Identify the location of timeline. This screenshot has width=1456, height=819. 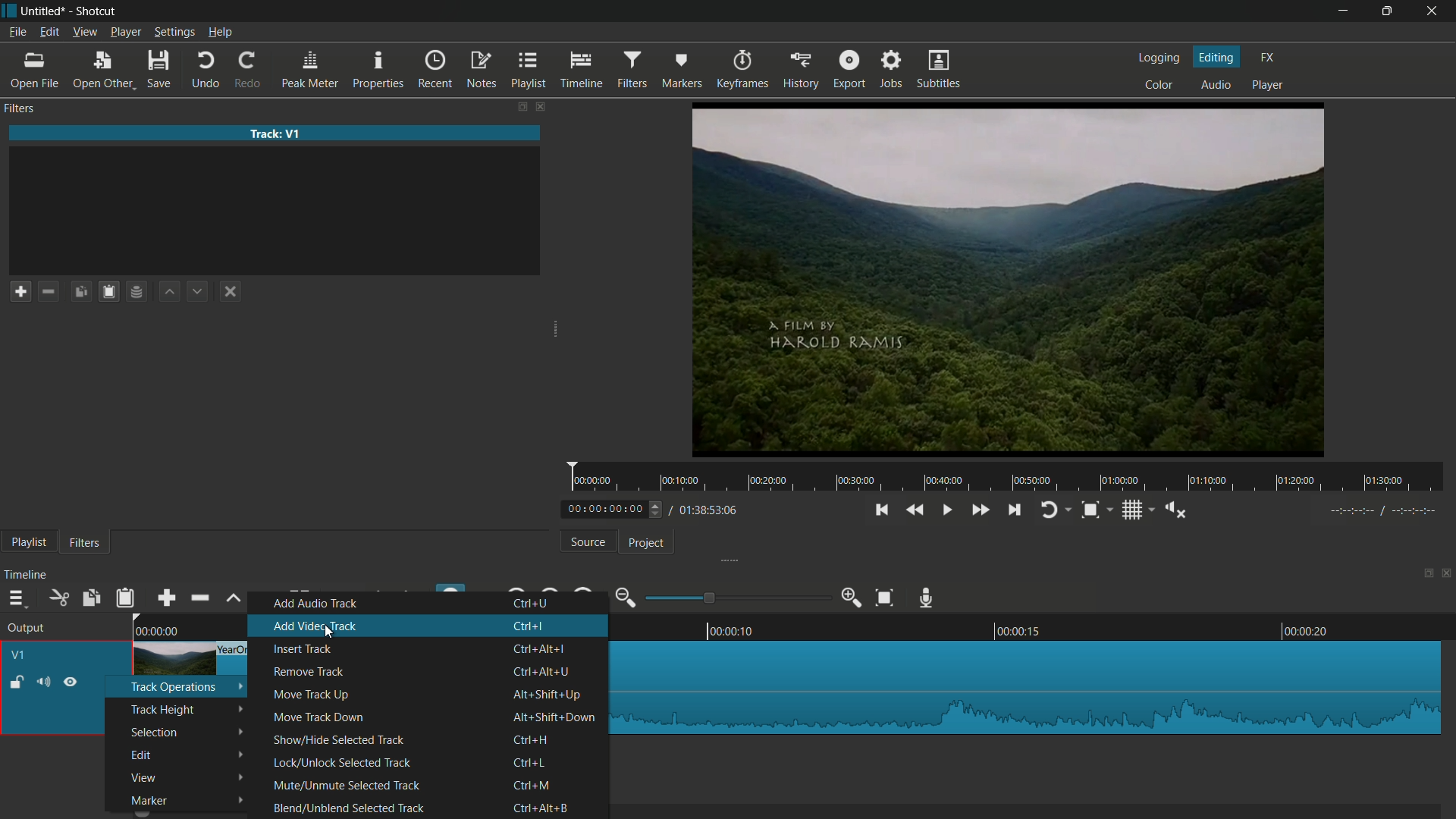
(581, 71).